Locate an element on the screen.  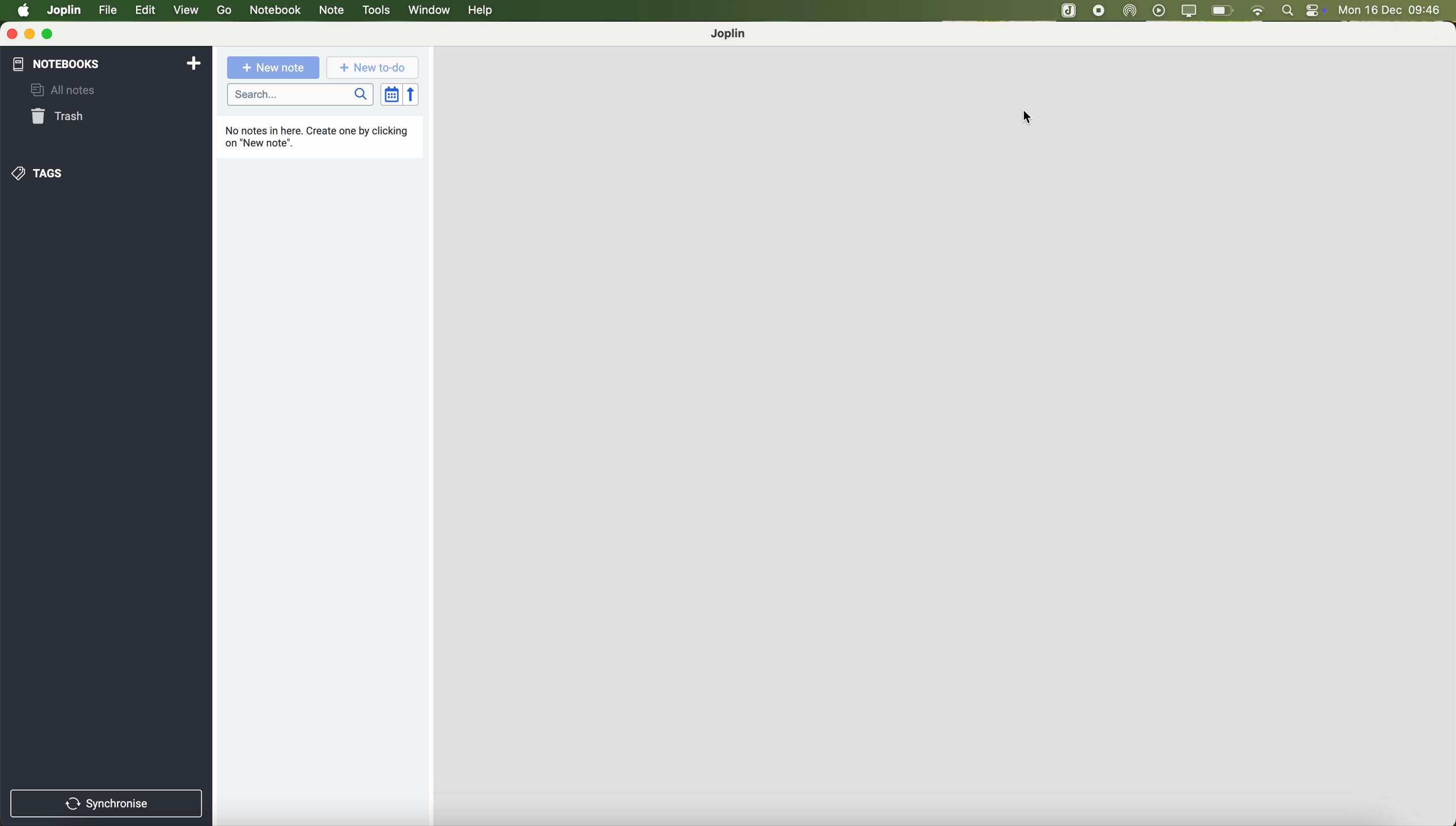
controls is located at coordinates (1319, 11).